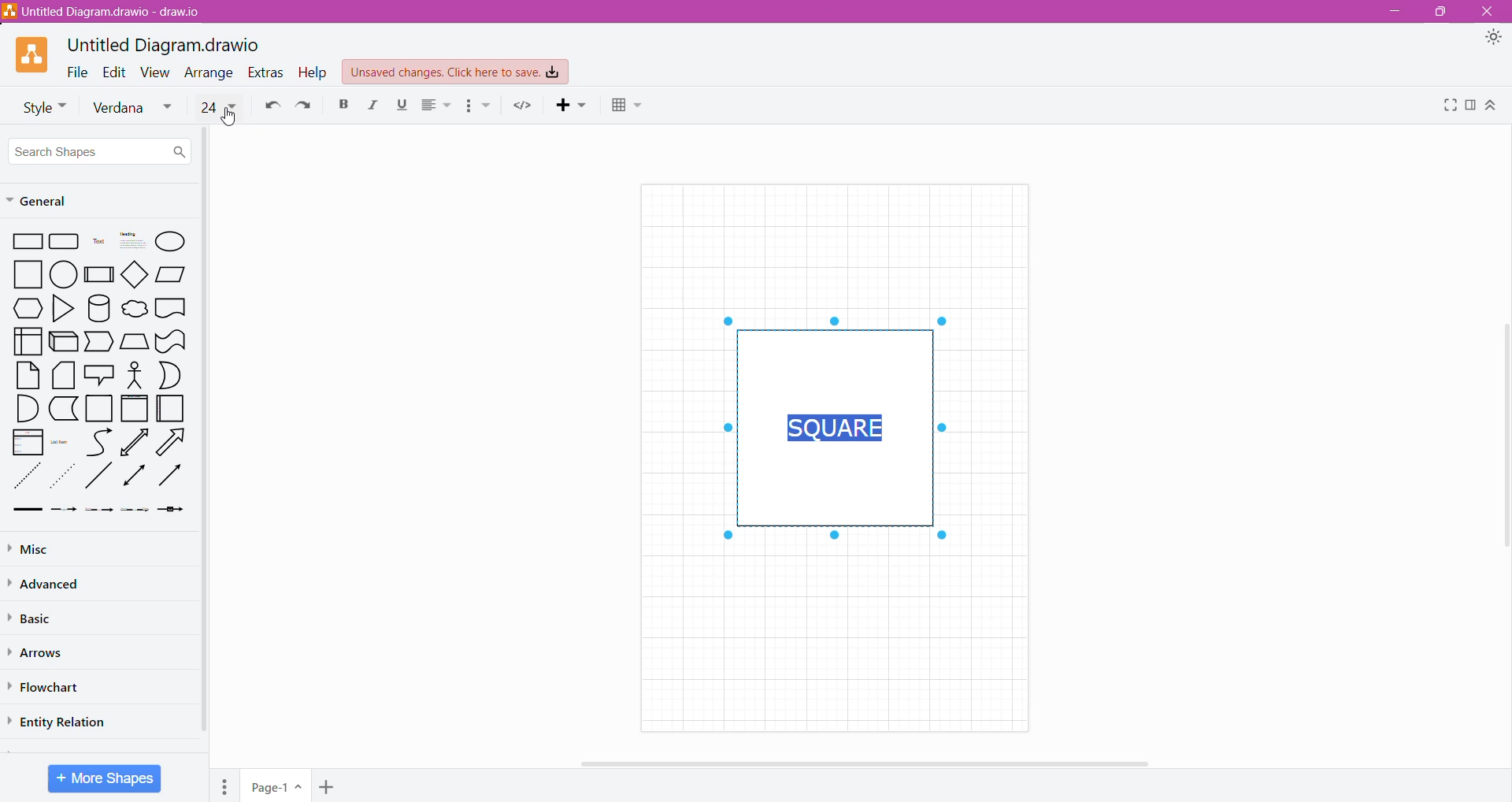 The height and width of the screenshot is (802, 1512). Describe the element at coordinates (565, 108) in the screenshot. I see `Insert` at that location.